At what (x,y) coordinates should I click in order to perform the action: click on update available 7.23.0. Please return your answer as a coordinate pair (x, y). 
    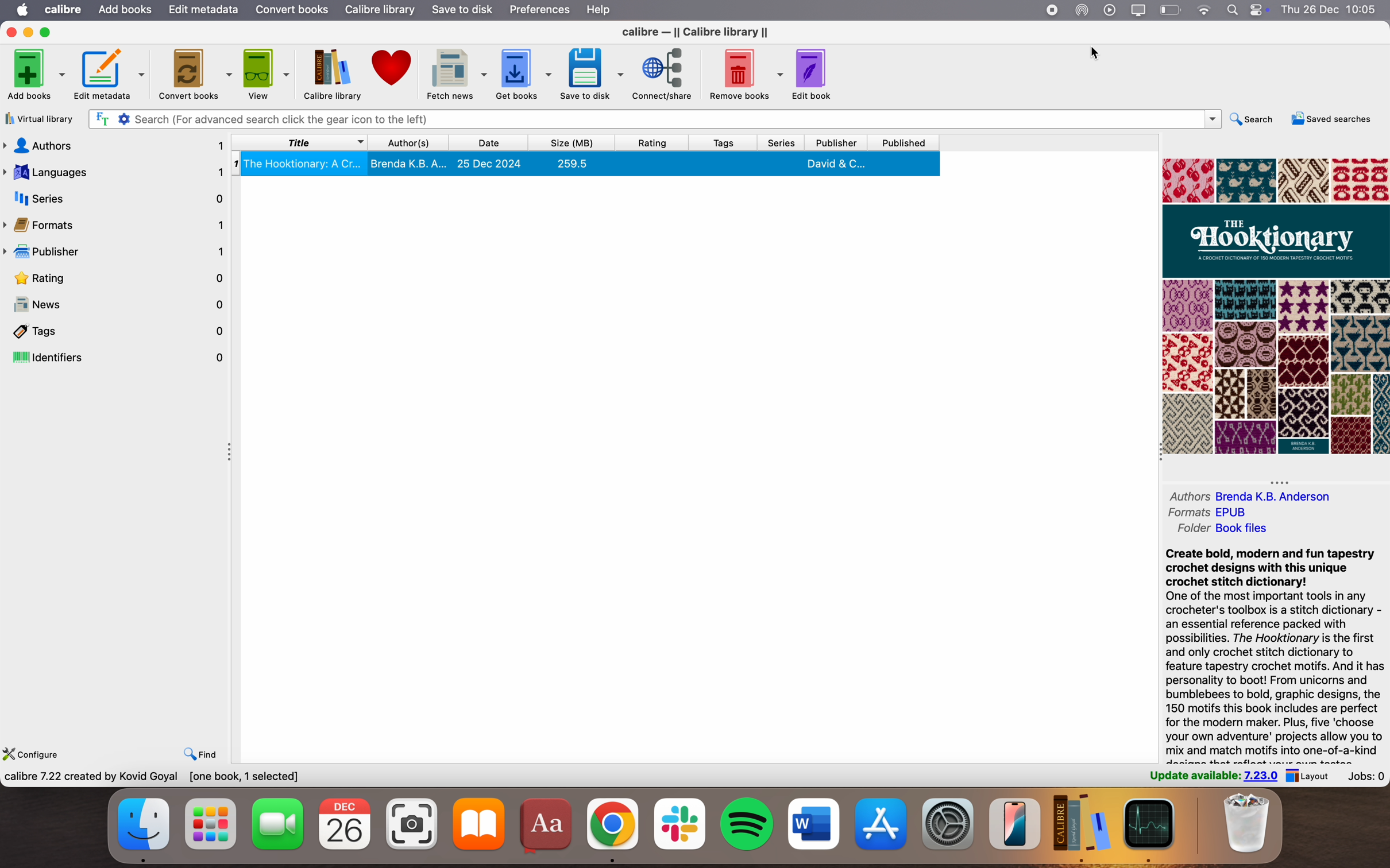
    Looking at the image, I should click on (1215, 777).